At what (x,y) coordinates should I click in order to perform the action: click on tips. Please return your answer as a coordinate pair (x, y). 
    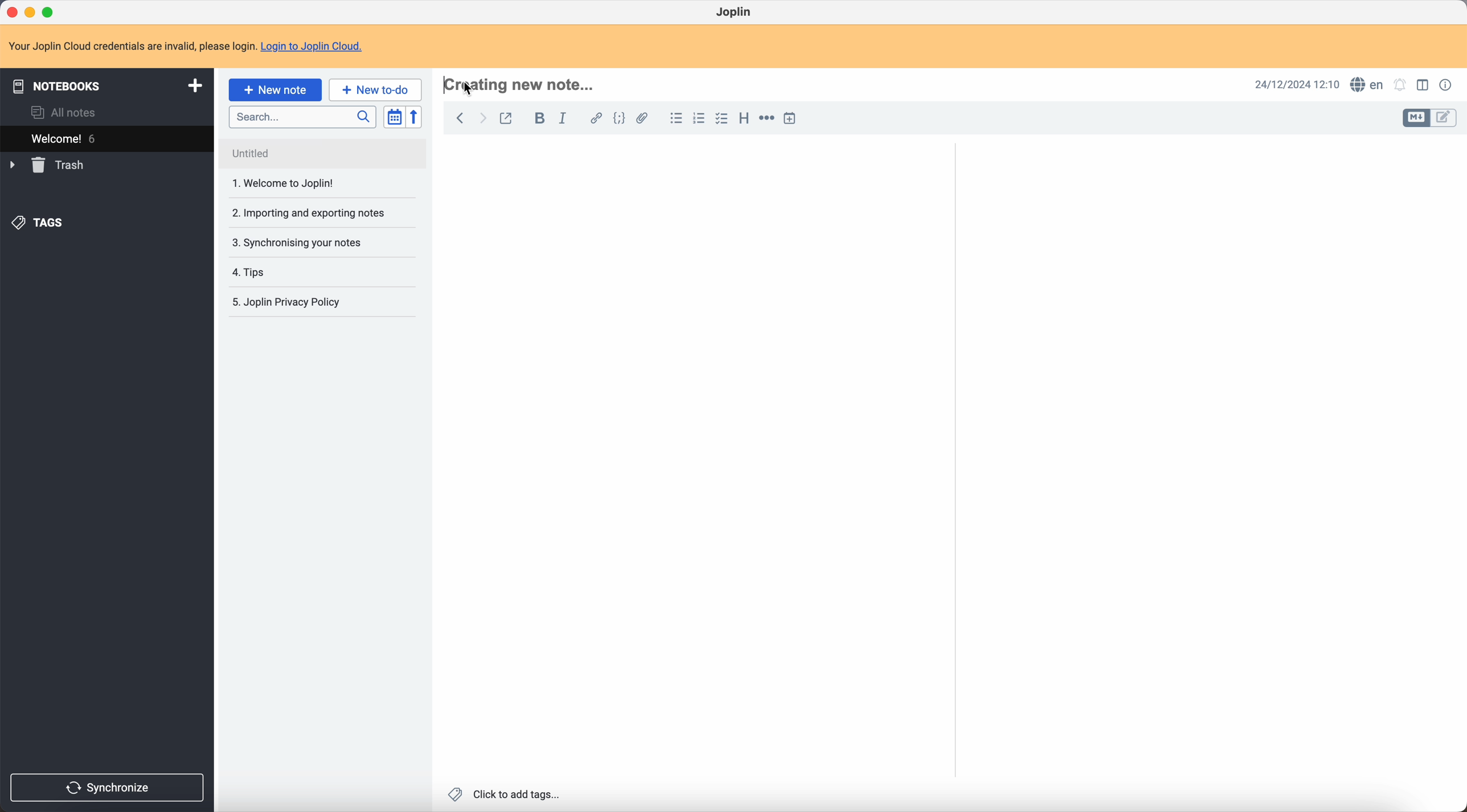
    Looking at the image, I should click on (301, 272).